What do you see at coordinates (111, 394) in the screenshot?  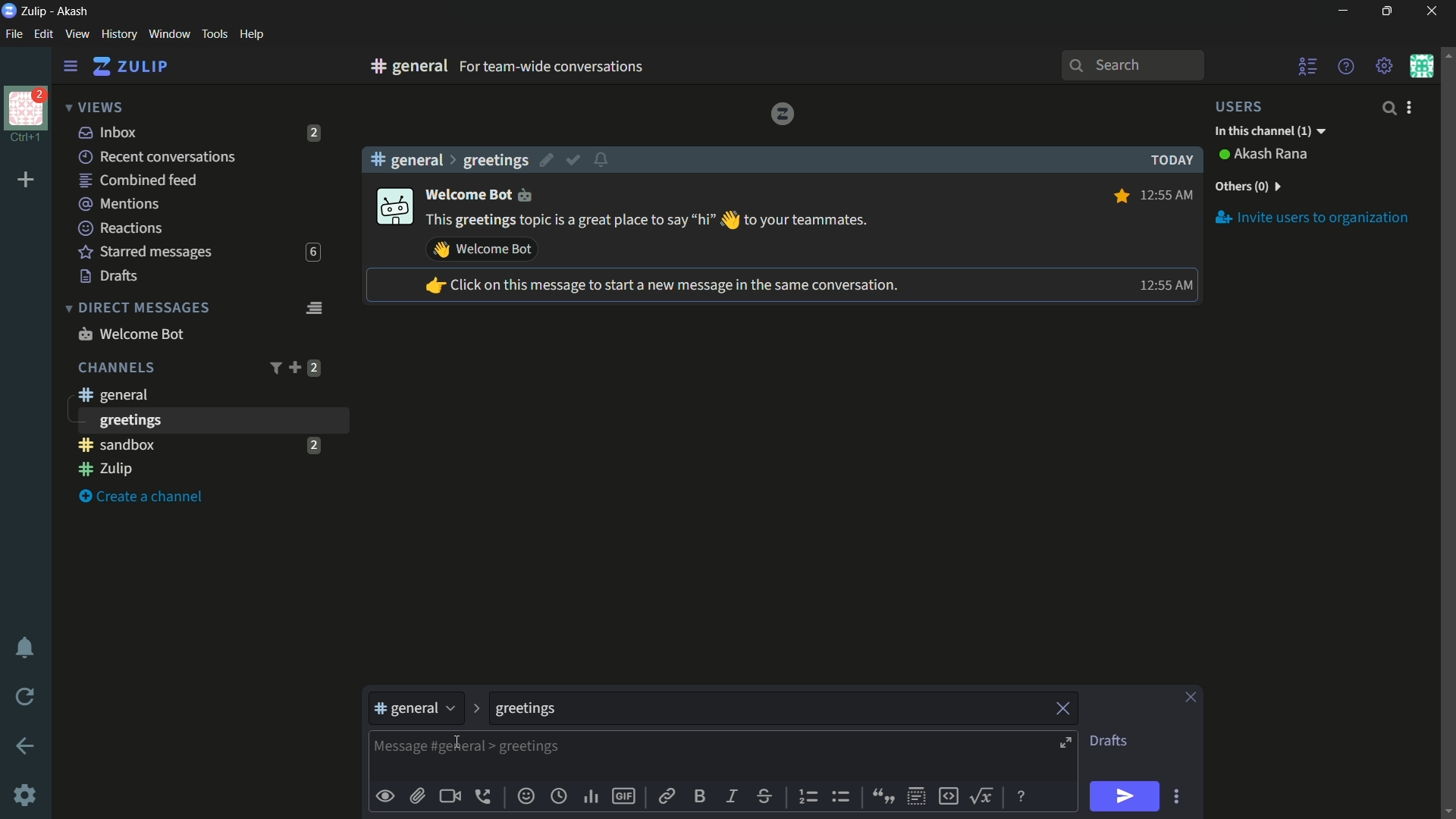 I see `general channel` at bounding box center [111, 394].